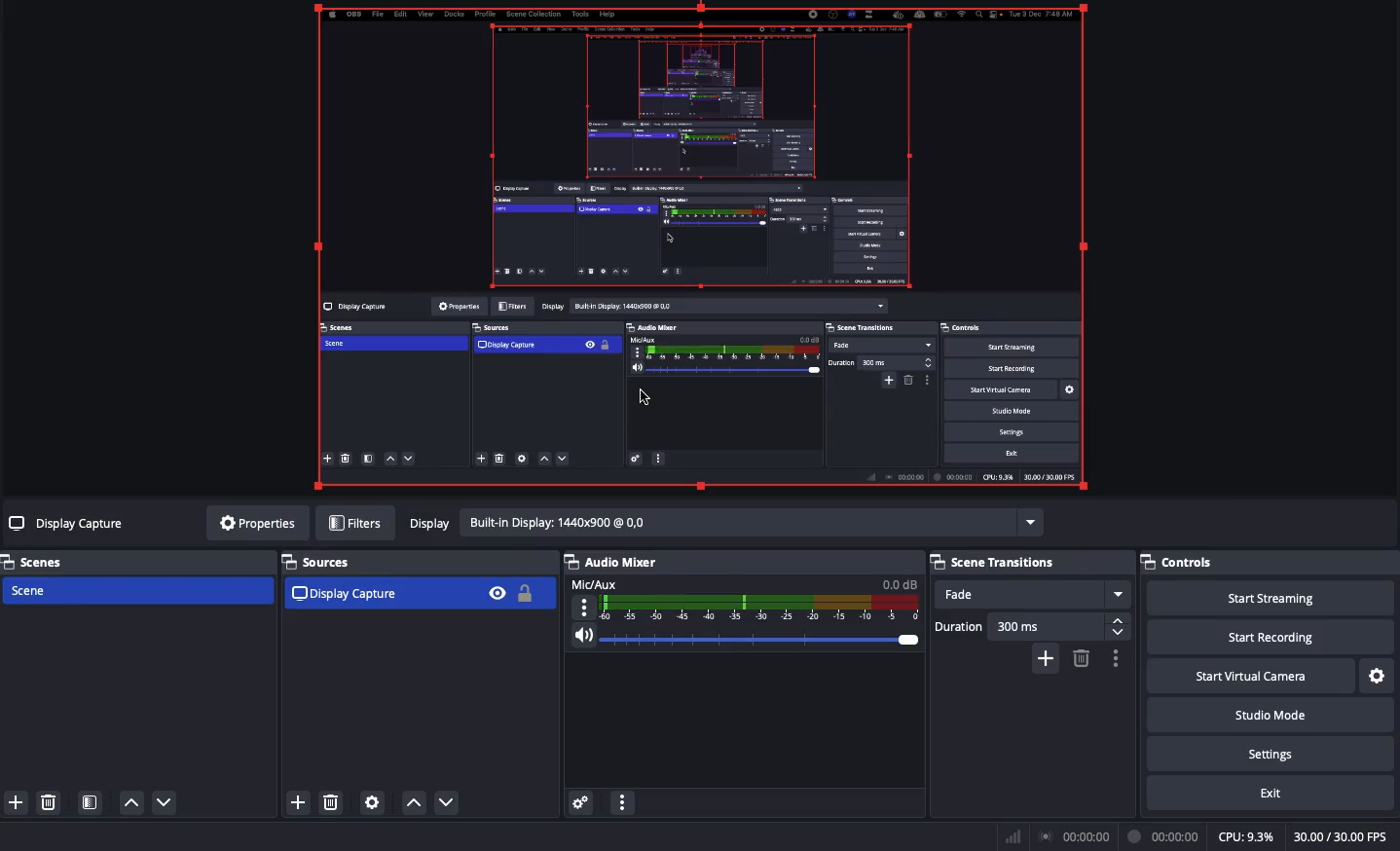  Describe the element at coordinates (747, 598) in the screenshot. I see `Mic/Aux` at that location.